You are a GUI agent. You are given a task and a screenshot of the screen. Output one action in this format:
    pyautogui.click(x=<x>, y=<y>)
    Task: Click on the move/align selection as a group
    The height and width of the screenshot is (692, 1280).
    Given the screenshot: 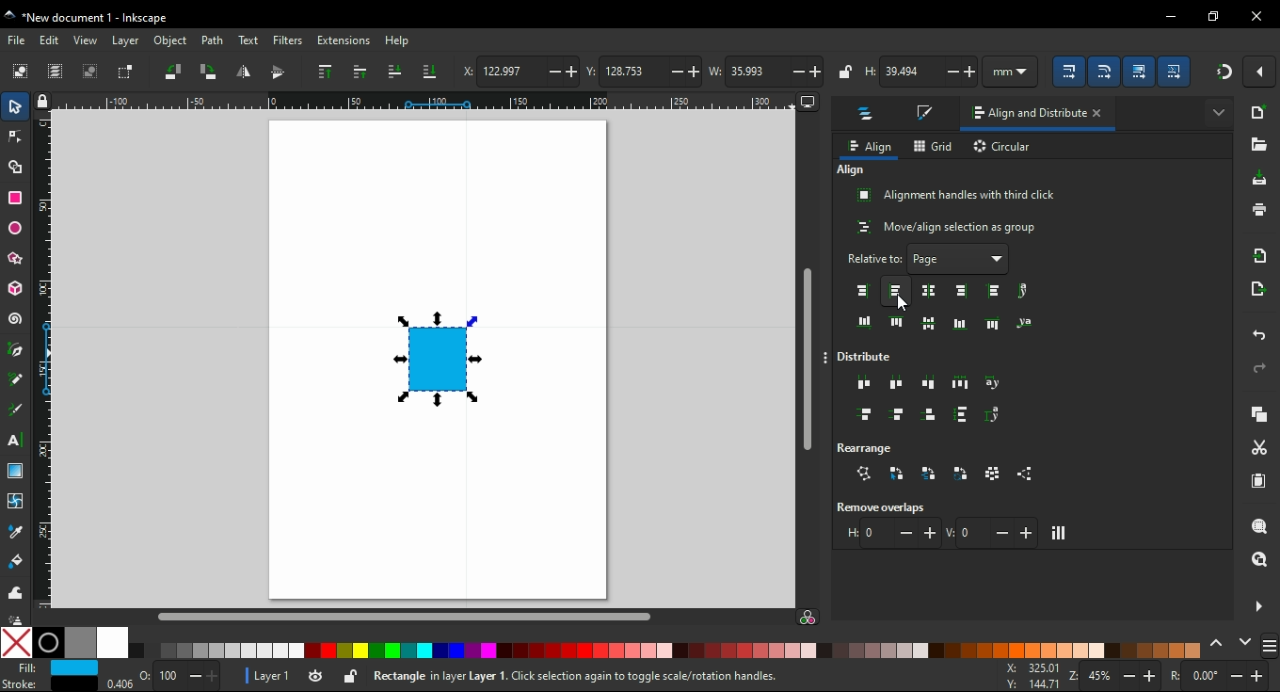 What is the action you would take?
    pyautogui.click(x=944, y=226)
    